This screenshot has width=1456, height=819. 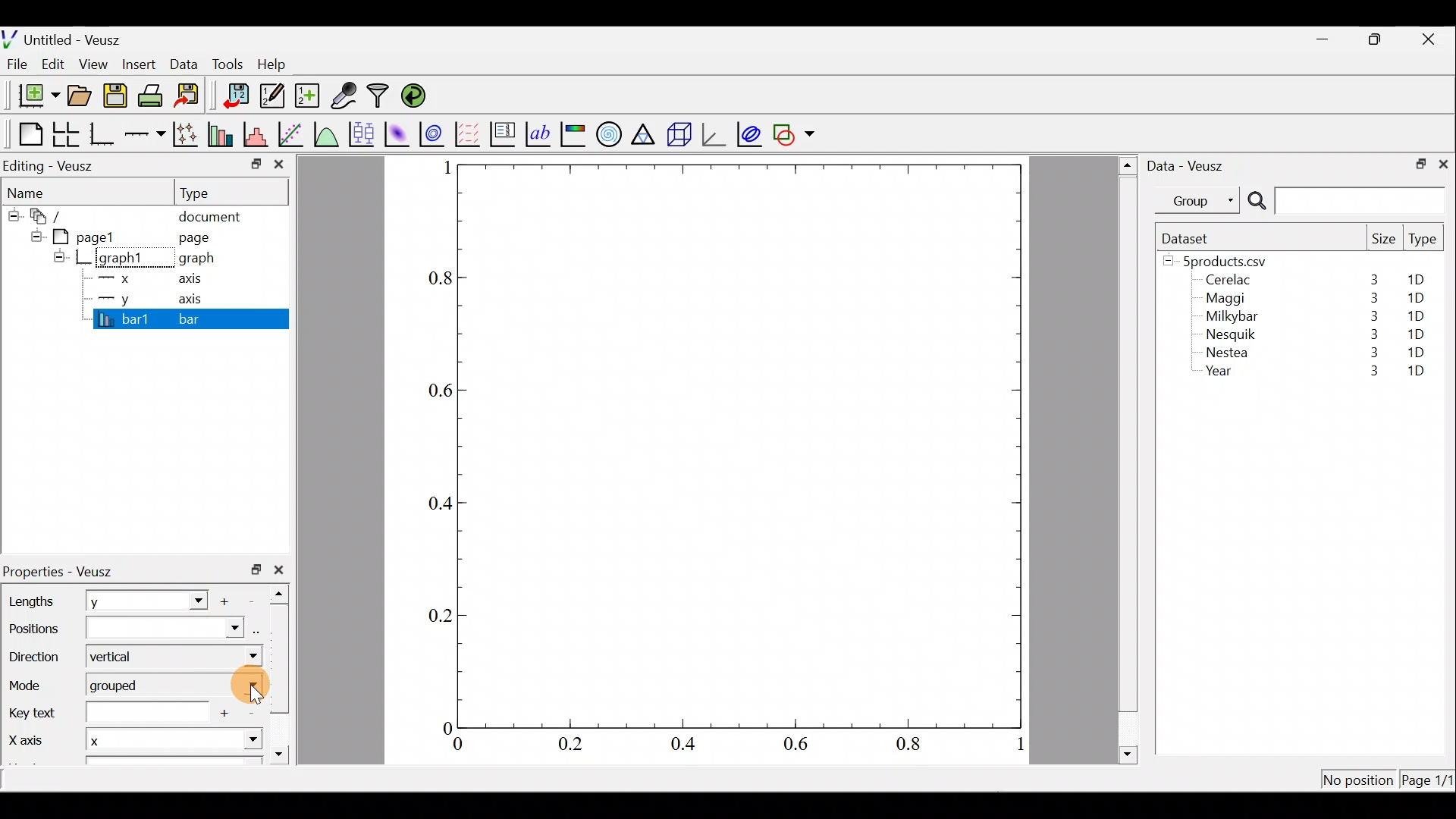 I want to click on minimize, so click(x=255, y=163).